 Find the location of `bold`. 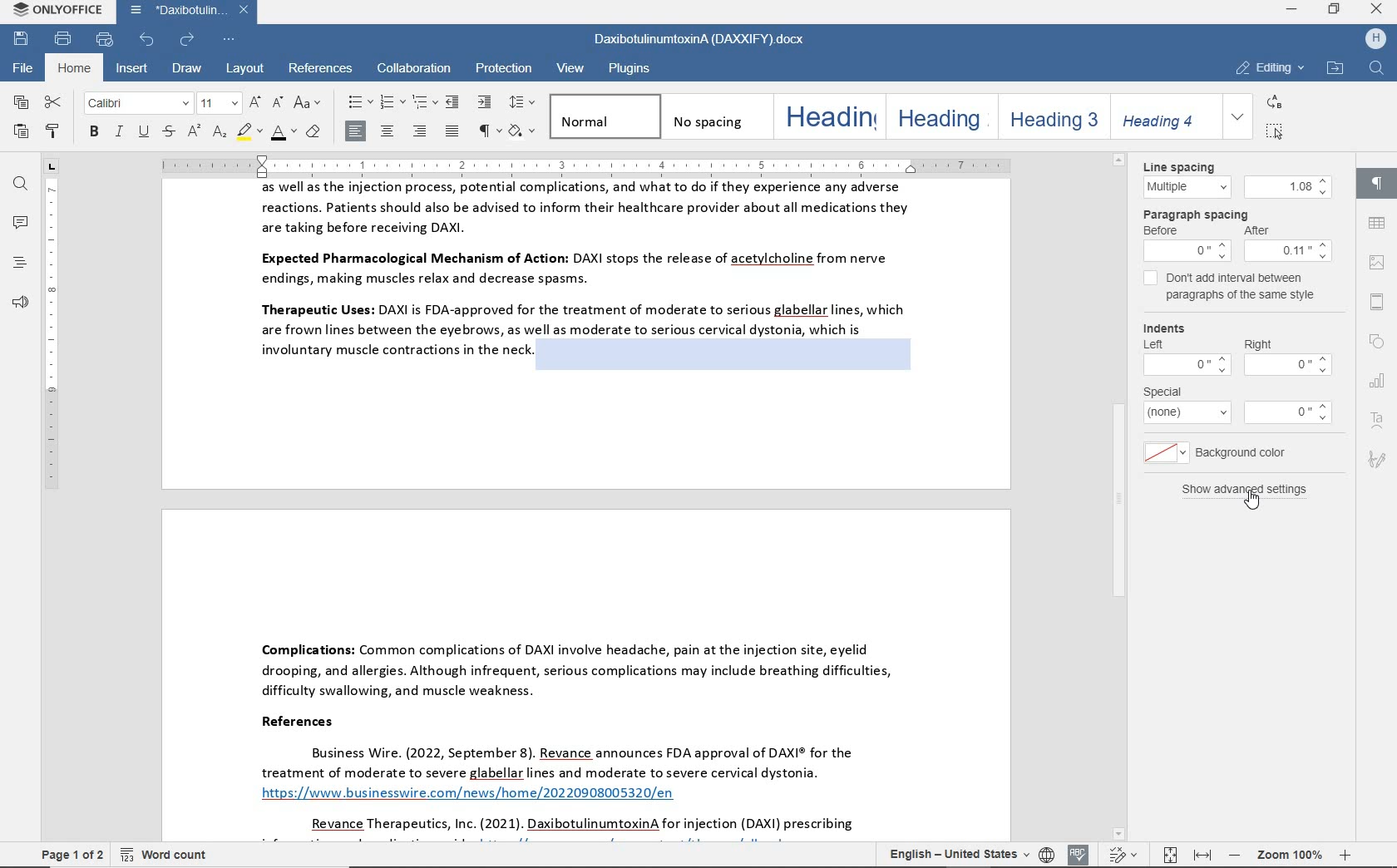

bold is located at coordinates (93, 133).